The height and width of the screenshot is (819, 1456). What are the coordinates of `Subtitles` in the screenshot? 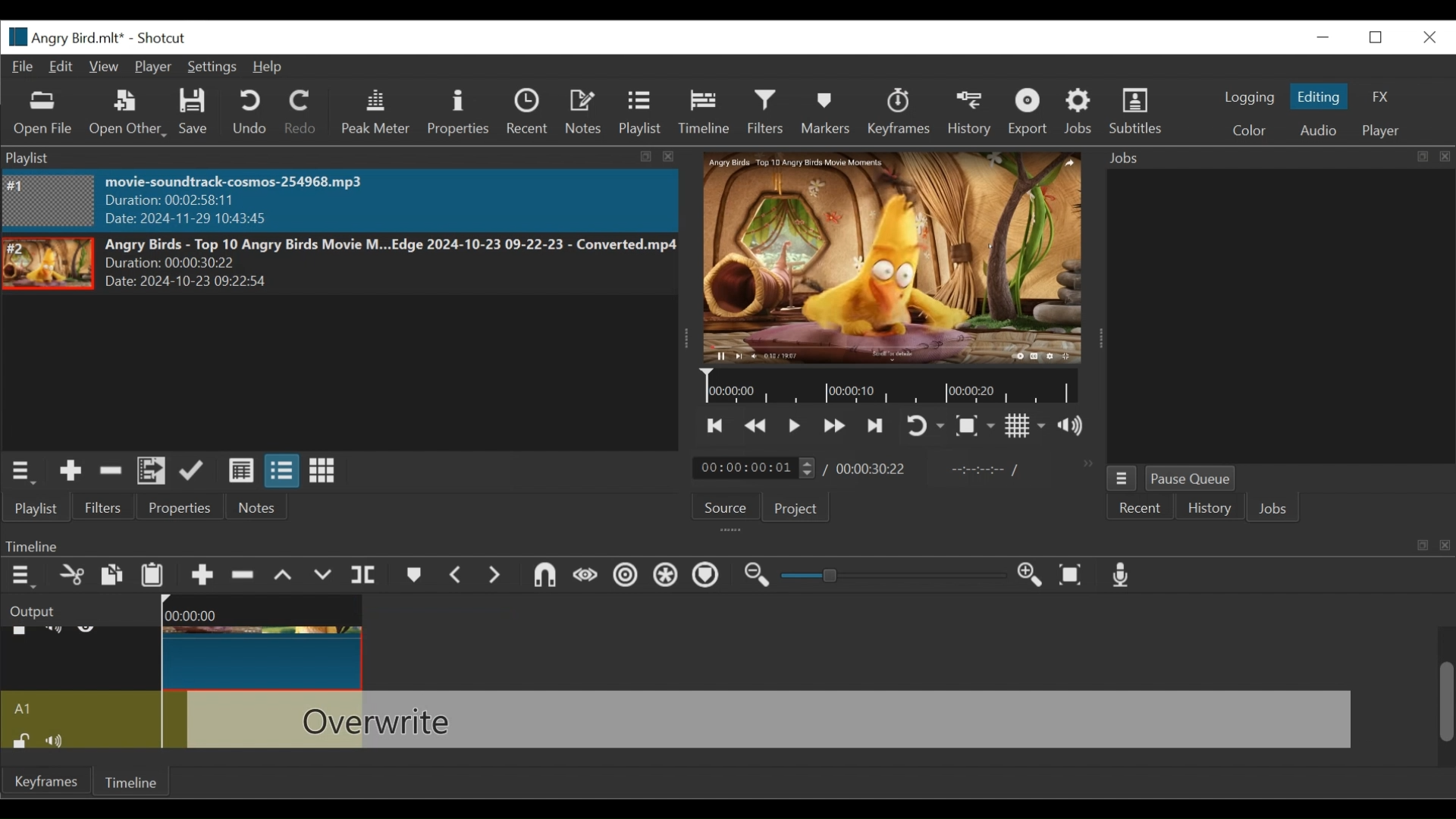 It's located at (1141, 113).